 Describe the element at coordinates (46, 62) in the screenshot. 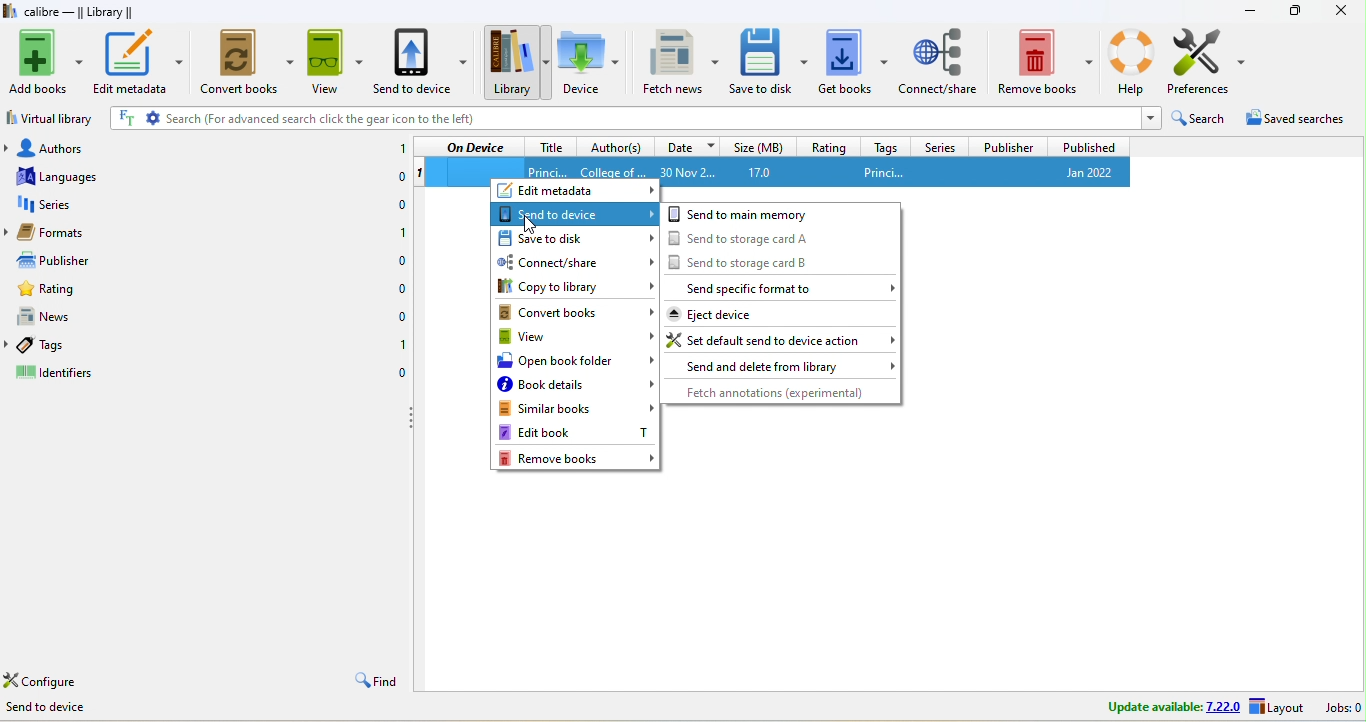

I see `add books` at that location.